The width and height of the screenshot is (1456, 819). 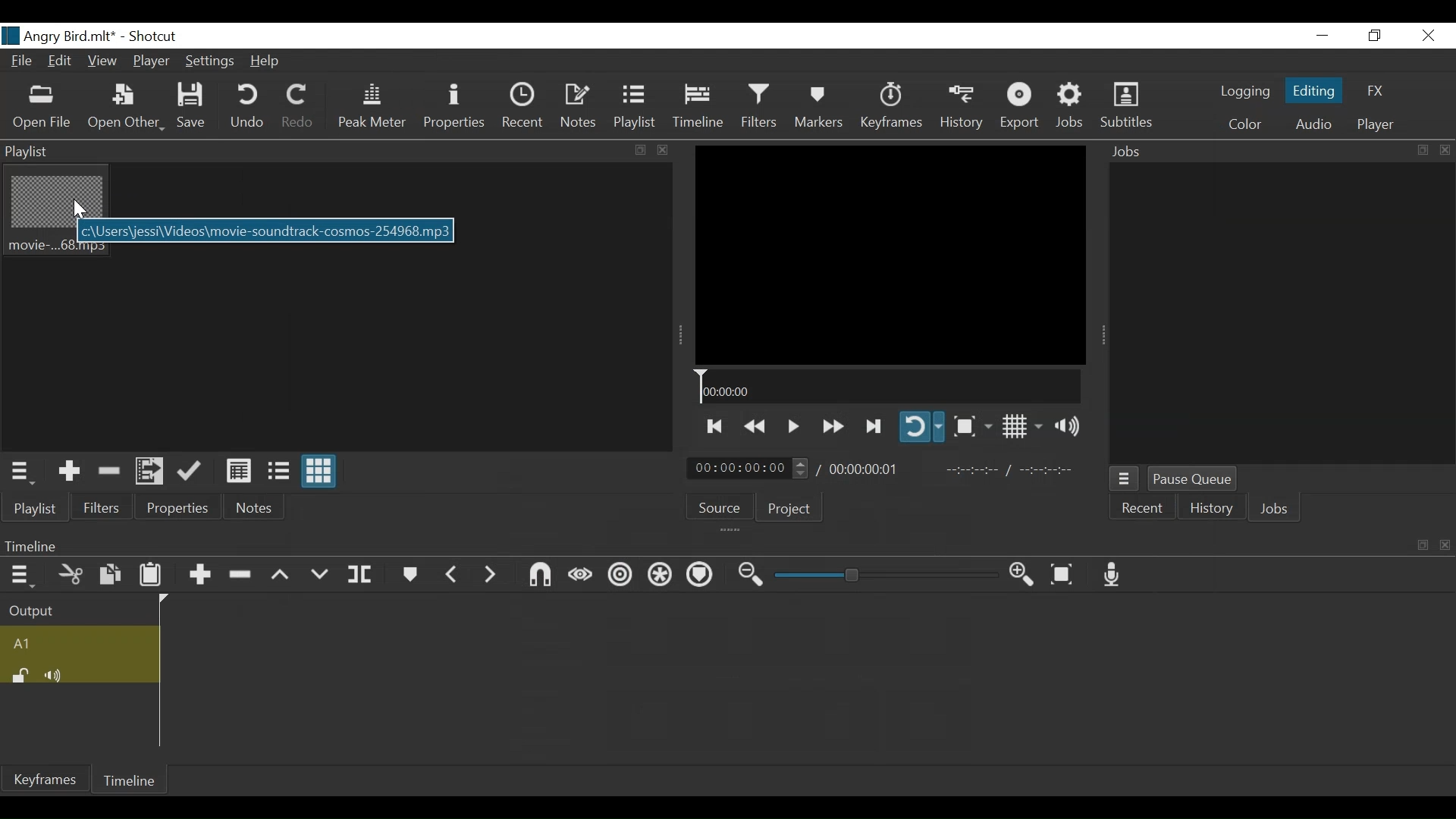 What do you see at coordinates (660, 149) in the screenshot?
I see `close` at bounding box center [660, 149].